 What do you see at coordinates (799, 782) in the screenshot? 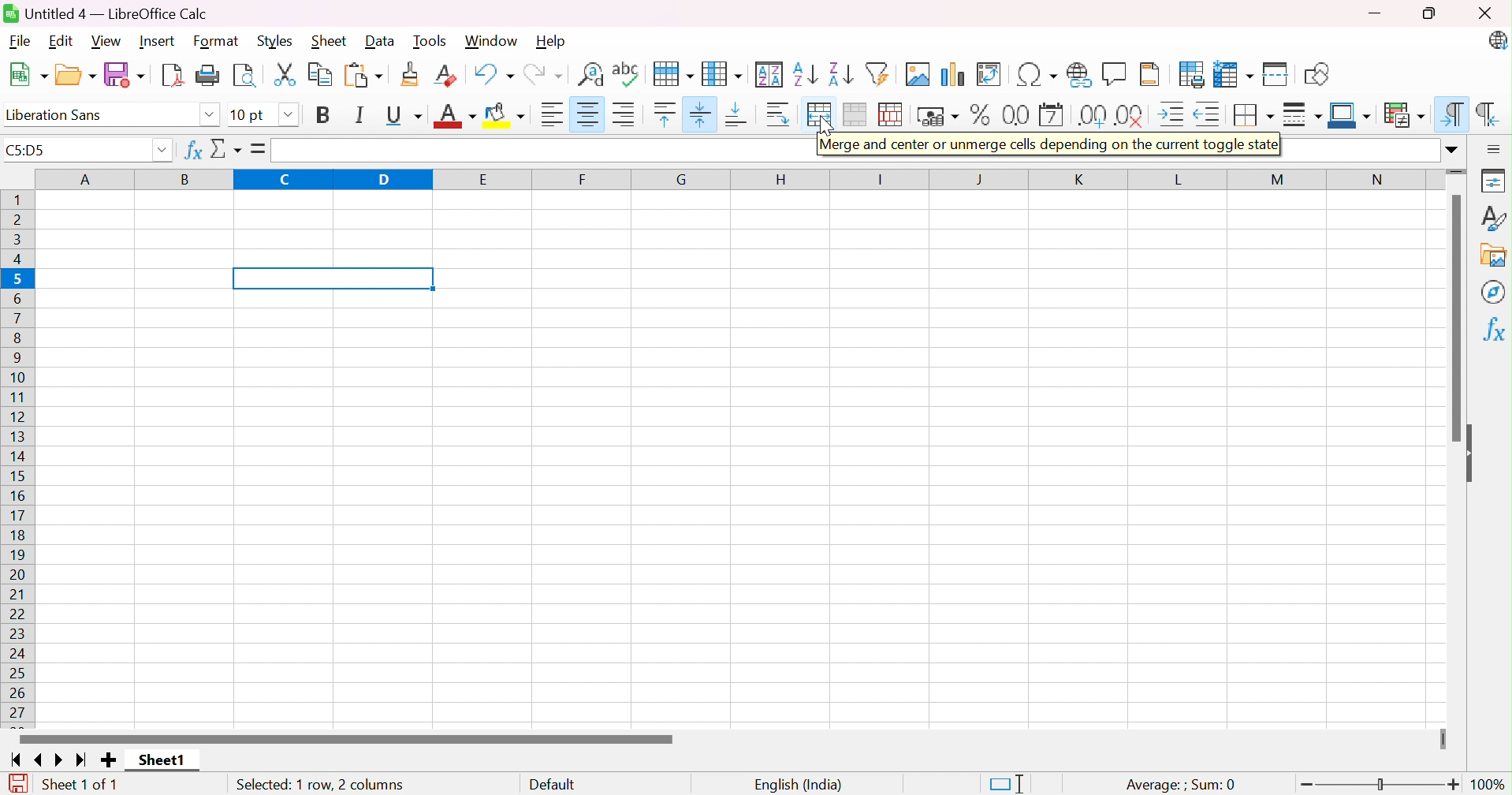
I see `English (India)` at bounding box center [799, 782].